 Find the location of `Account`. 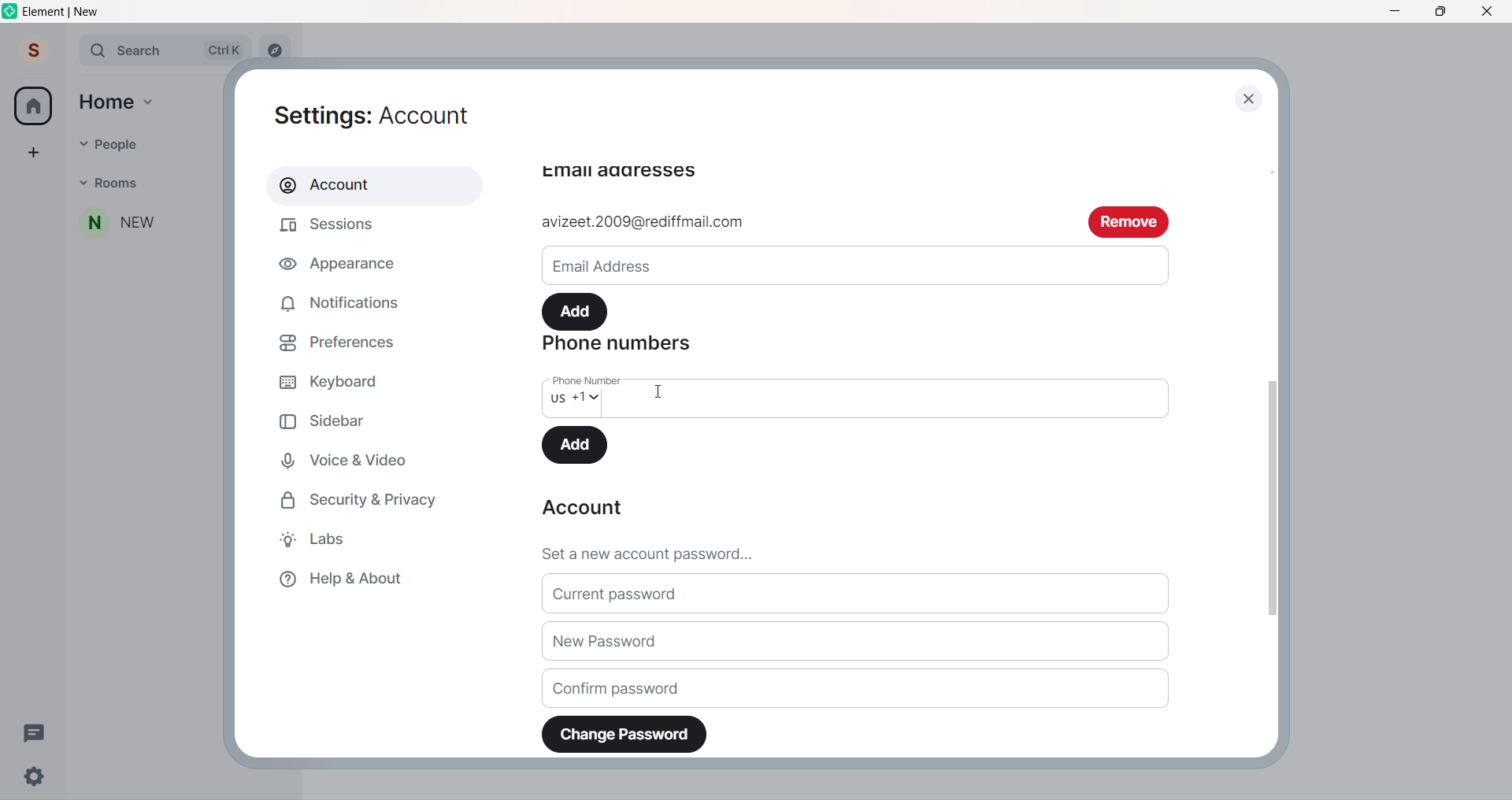

Account is located at coordinates (367, 185).